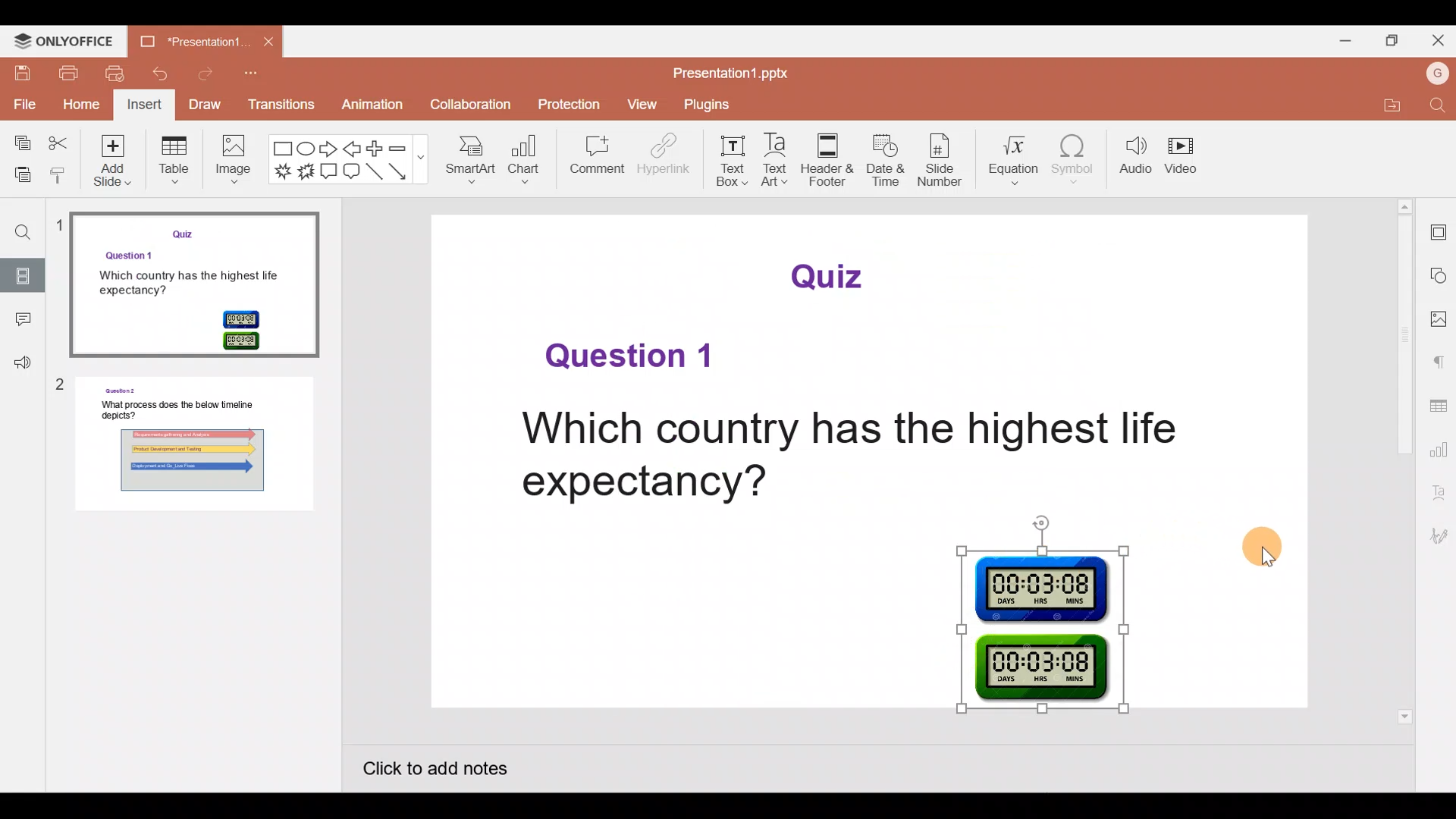 The width and height of the screenshot is (1456, 819). Describe the element at coordinates (233, 162) in the screenshot. I see `Image` at that location.